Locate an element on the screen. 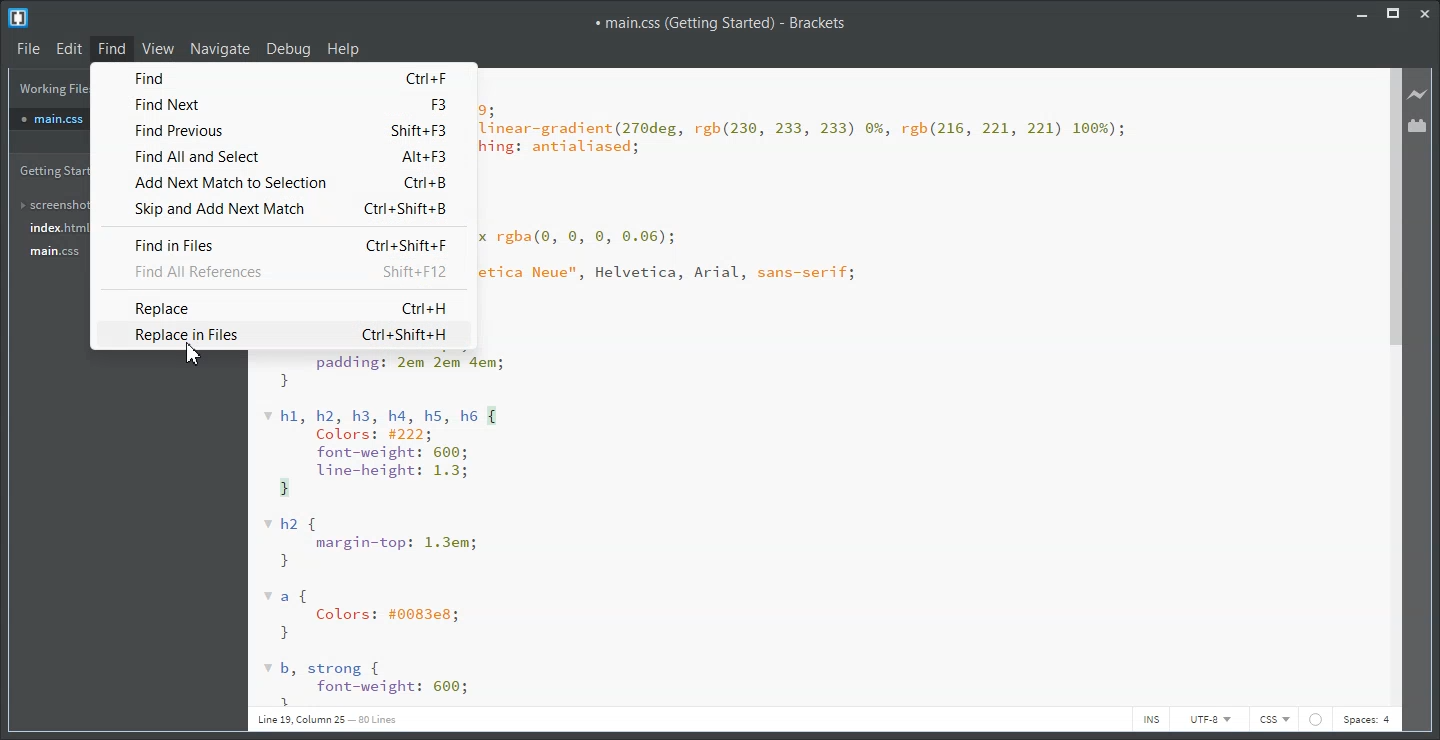 Image resolution: width=1440 pixels, height=740 pixels. Edit is located at coordinates (68, 48).